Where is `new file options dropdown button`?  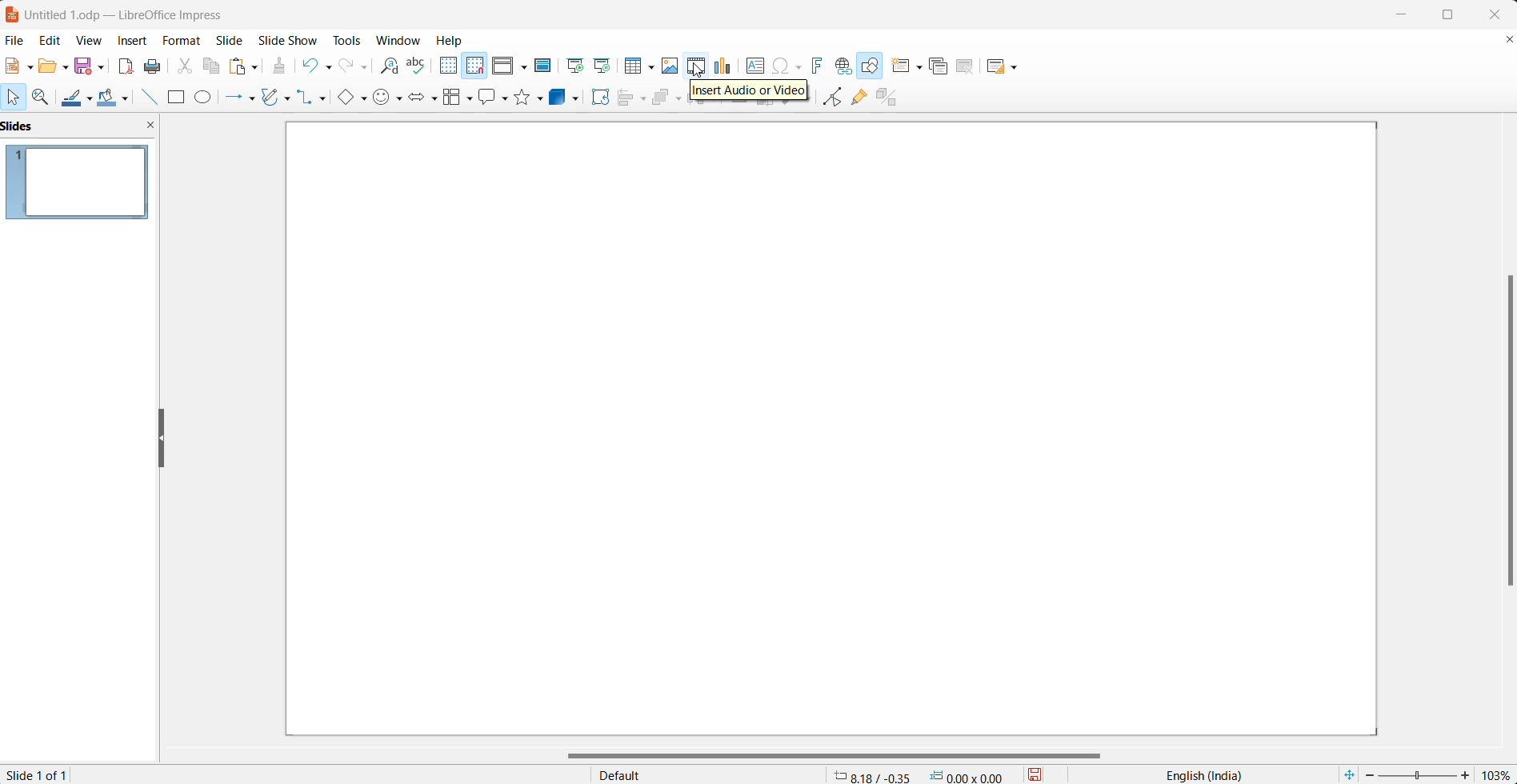 new file options dropdown button is located at coordinates (29, 67).